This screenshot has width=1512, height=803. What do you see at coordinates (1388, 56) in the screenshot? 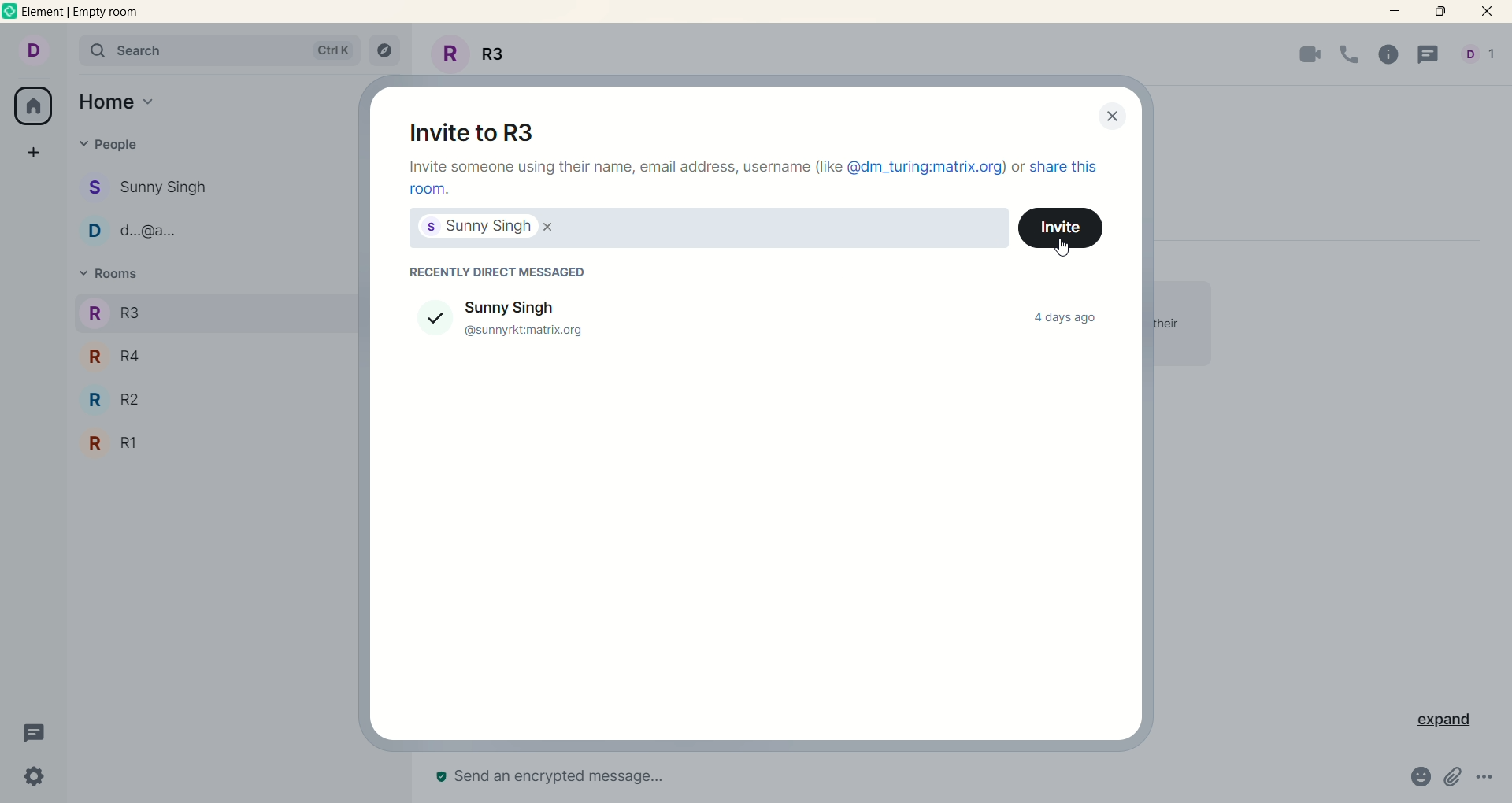
I see `room info` at bounding box center [1388, 56].